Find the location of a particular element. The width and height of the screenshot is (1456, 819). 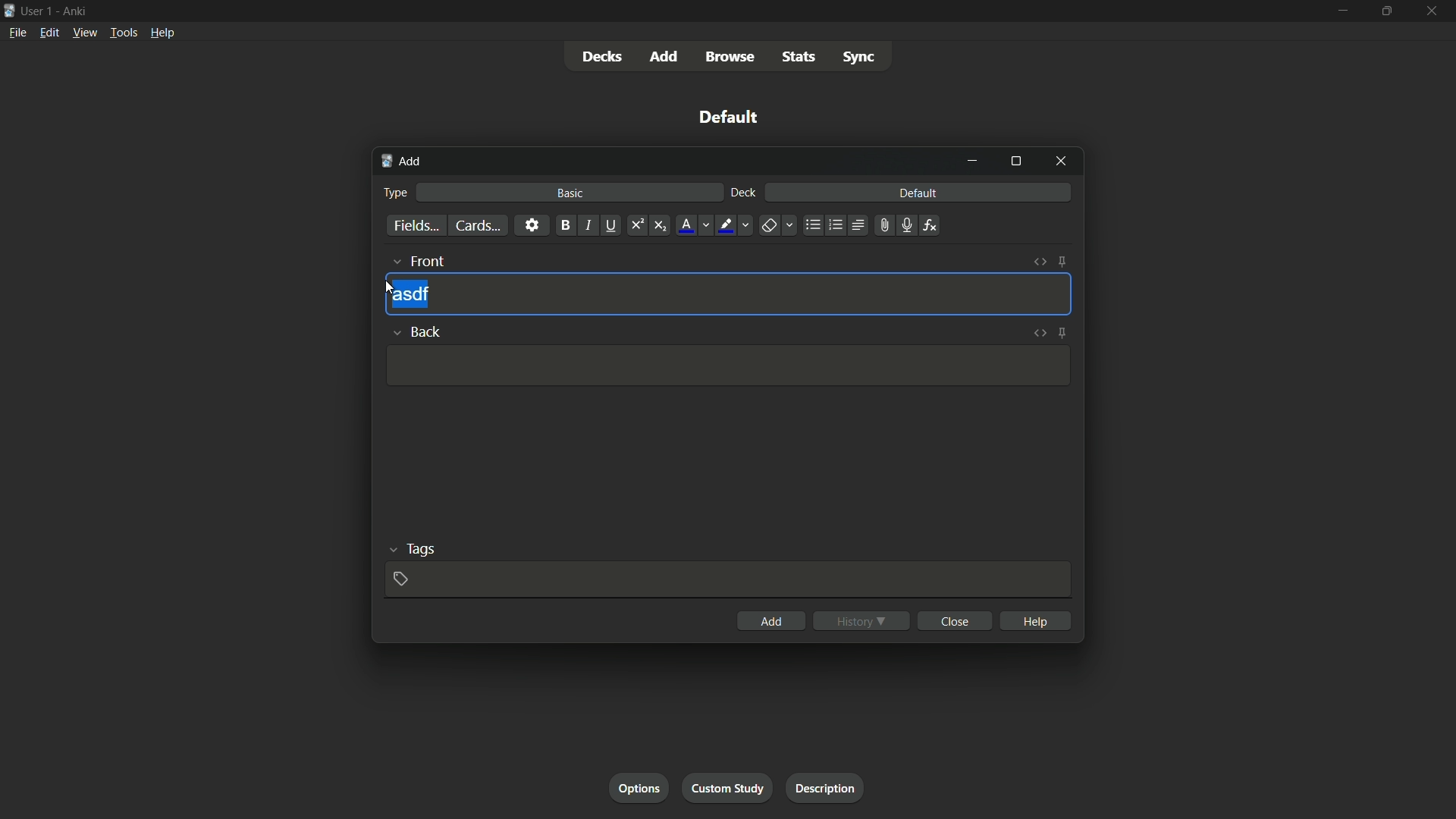

attach file is located at coordinates (885, 225).